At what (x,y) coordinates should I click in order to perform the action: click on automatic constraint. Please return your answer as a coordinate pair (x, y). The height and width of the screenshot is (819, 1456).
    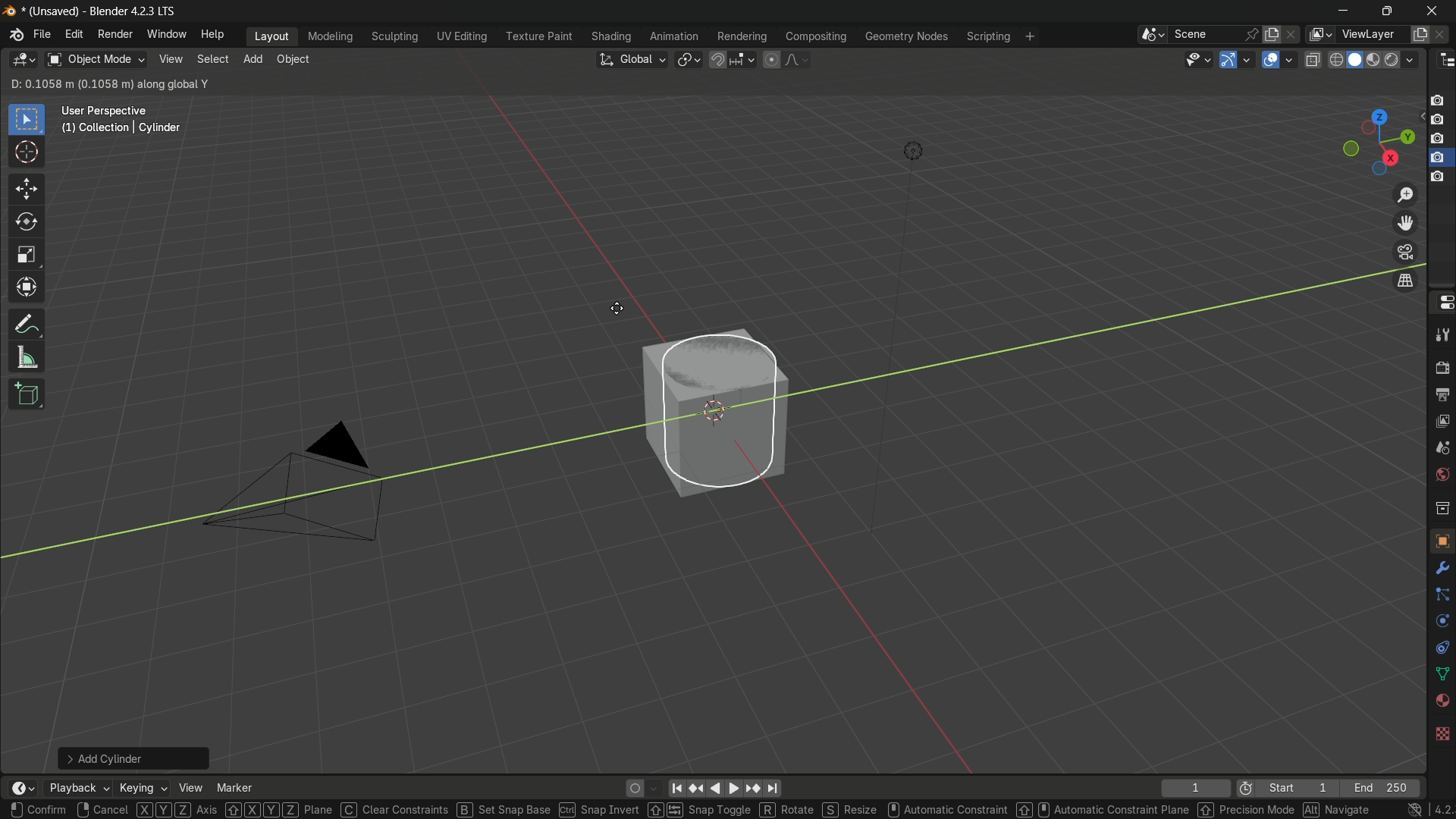
    Looking at the image, I should click on (944, 808).